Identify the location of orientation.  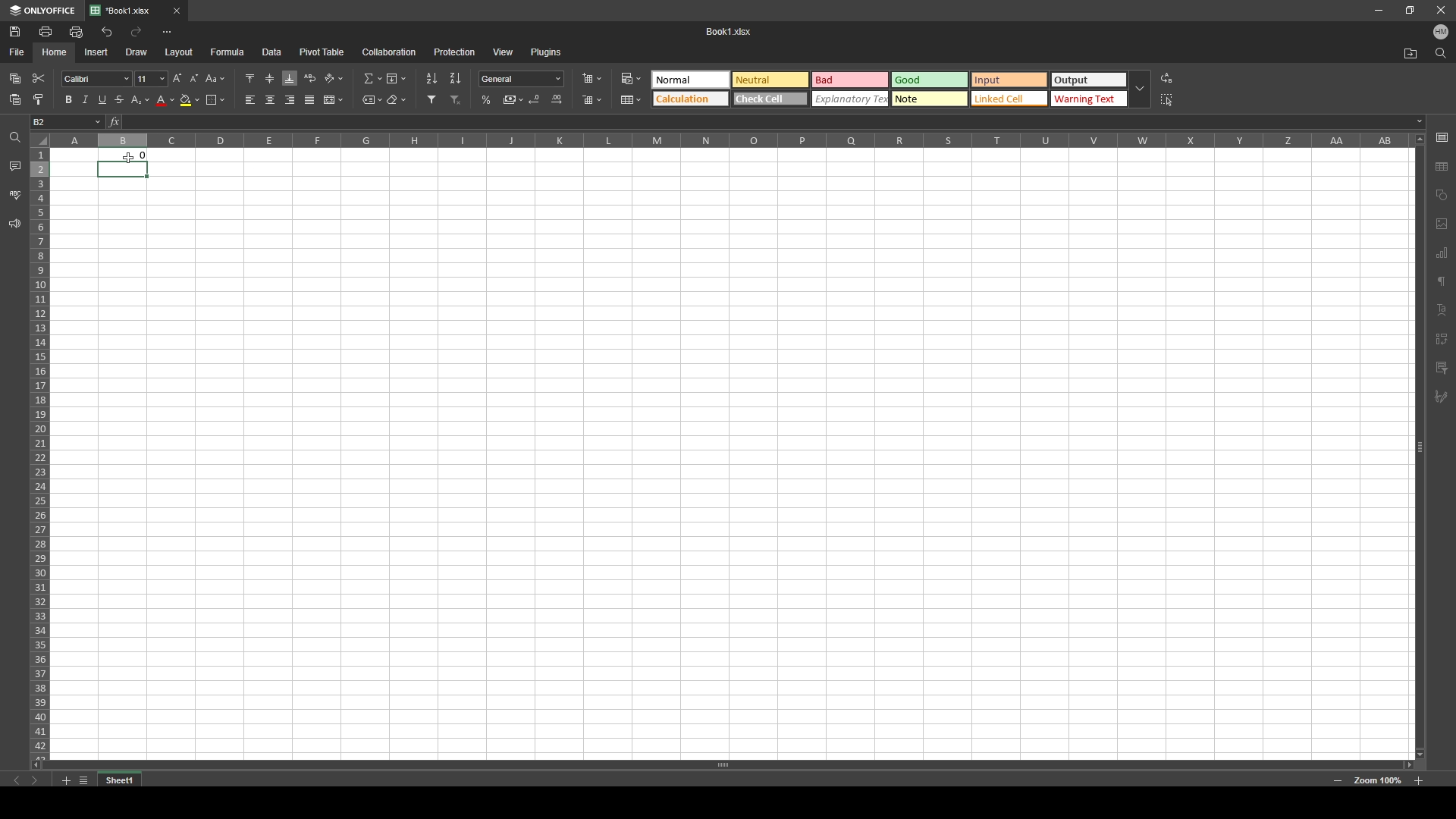
(335, 78).